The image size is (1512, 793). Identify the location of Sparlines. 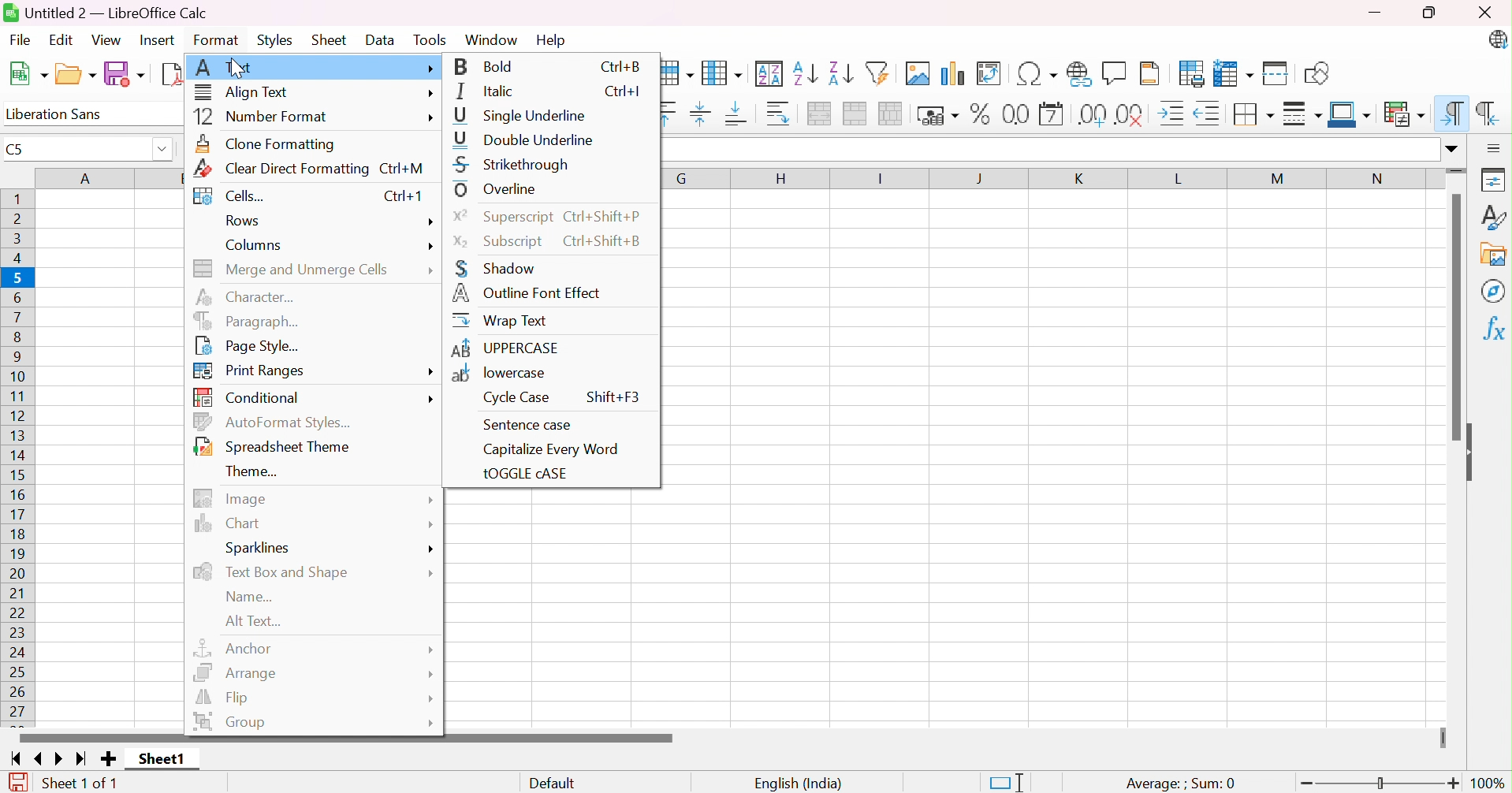
(263, 549).